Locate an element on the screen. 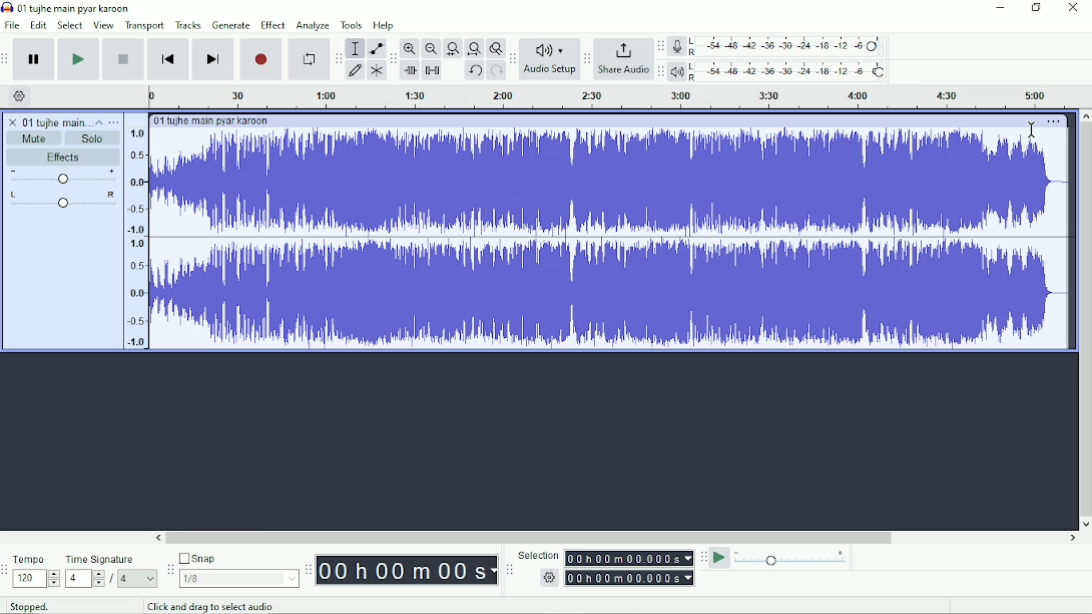  Help is located at coordinates (385, 25).